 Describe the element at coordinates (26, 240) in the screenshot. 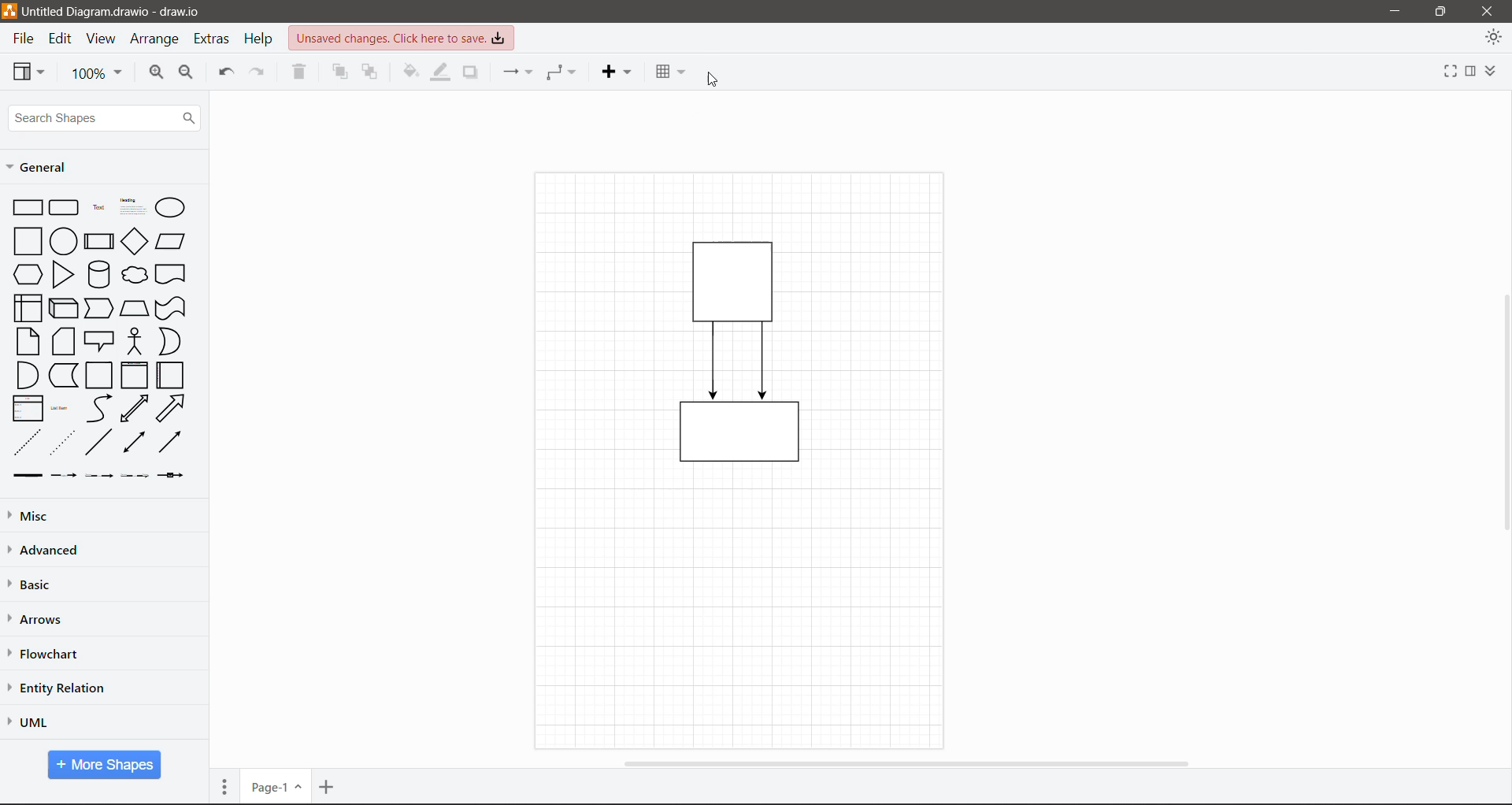

I see `Square` at that location.